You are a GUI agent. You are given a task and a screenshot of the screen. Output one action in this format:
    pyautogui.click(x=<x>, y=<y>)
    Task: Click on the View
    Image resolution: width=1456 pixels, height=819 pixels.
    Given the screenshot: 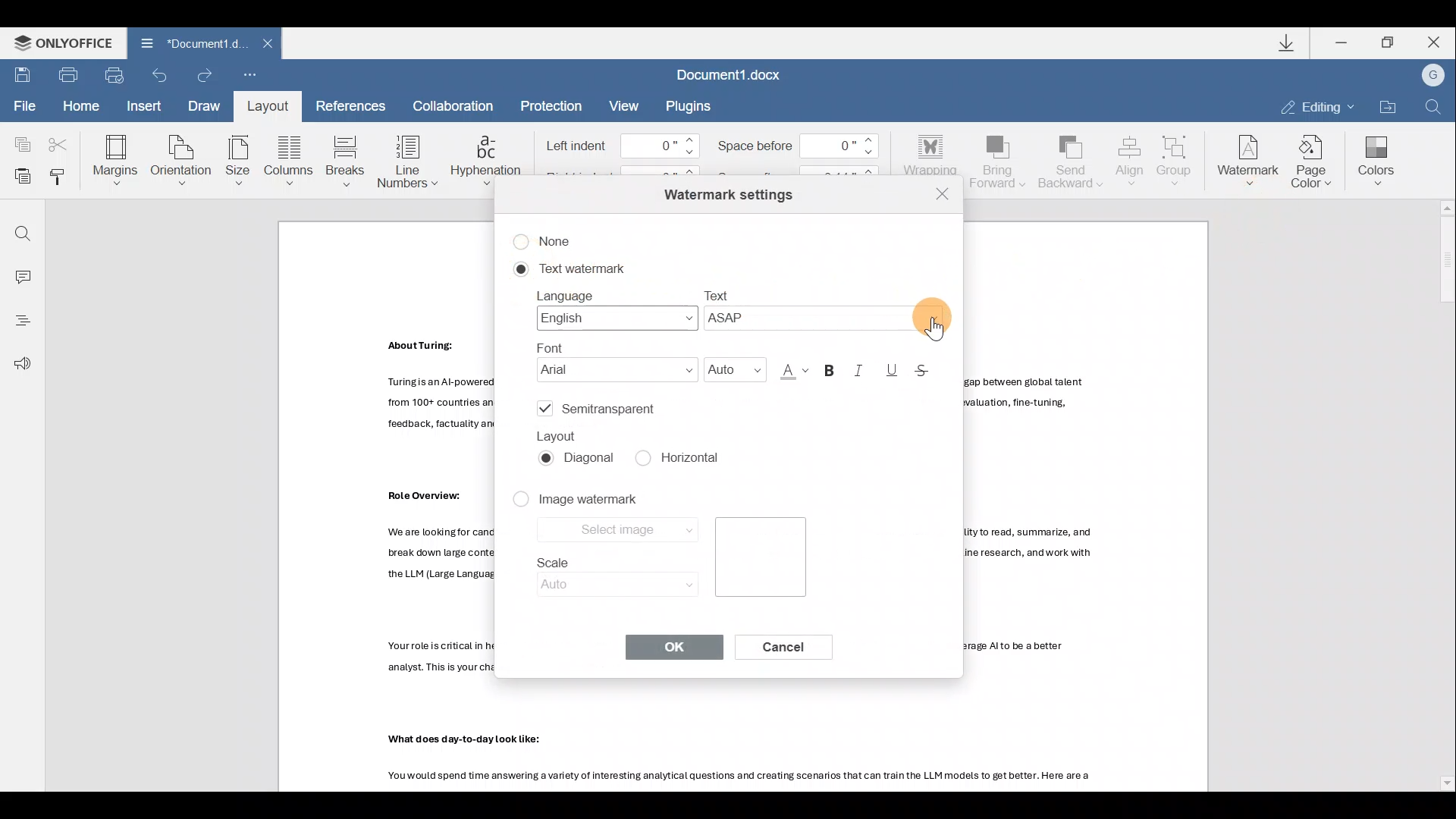 What is the action you would take?
    pyautogui.click(x=624, y=104)
    